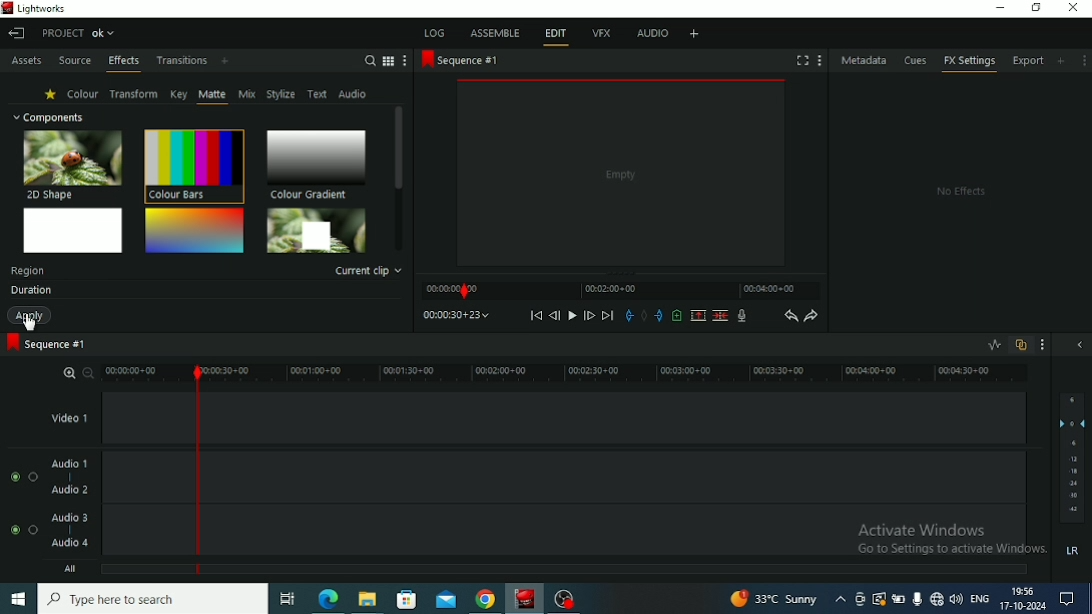 The height and width of the screenshot is (614, 1092). I want to click on sequence #1, so click(459, 61).